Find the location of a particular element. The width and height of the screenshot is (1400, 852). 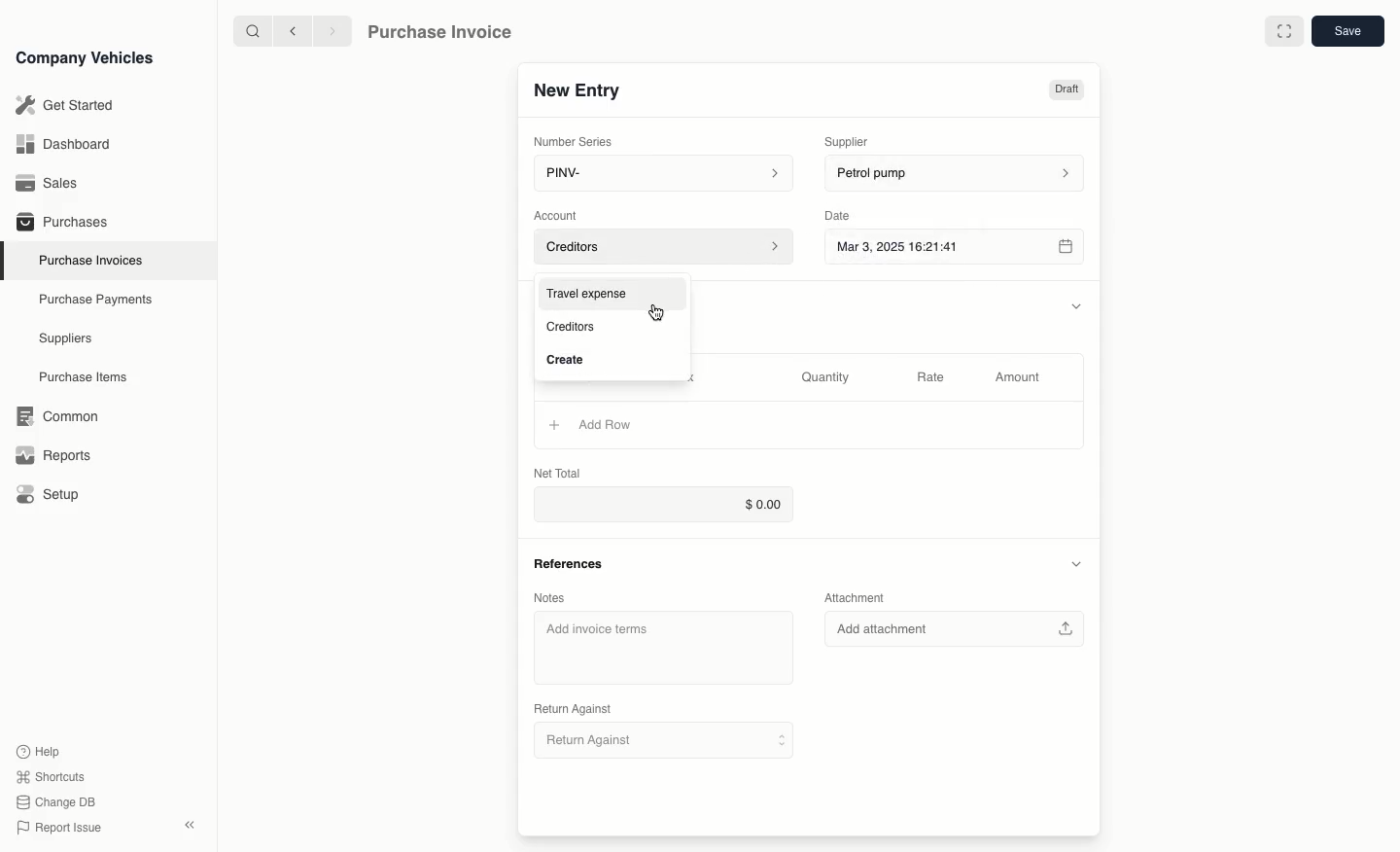

Attachment is located at coordinates (861, 597).